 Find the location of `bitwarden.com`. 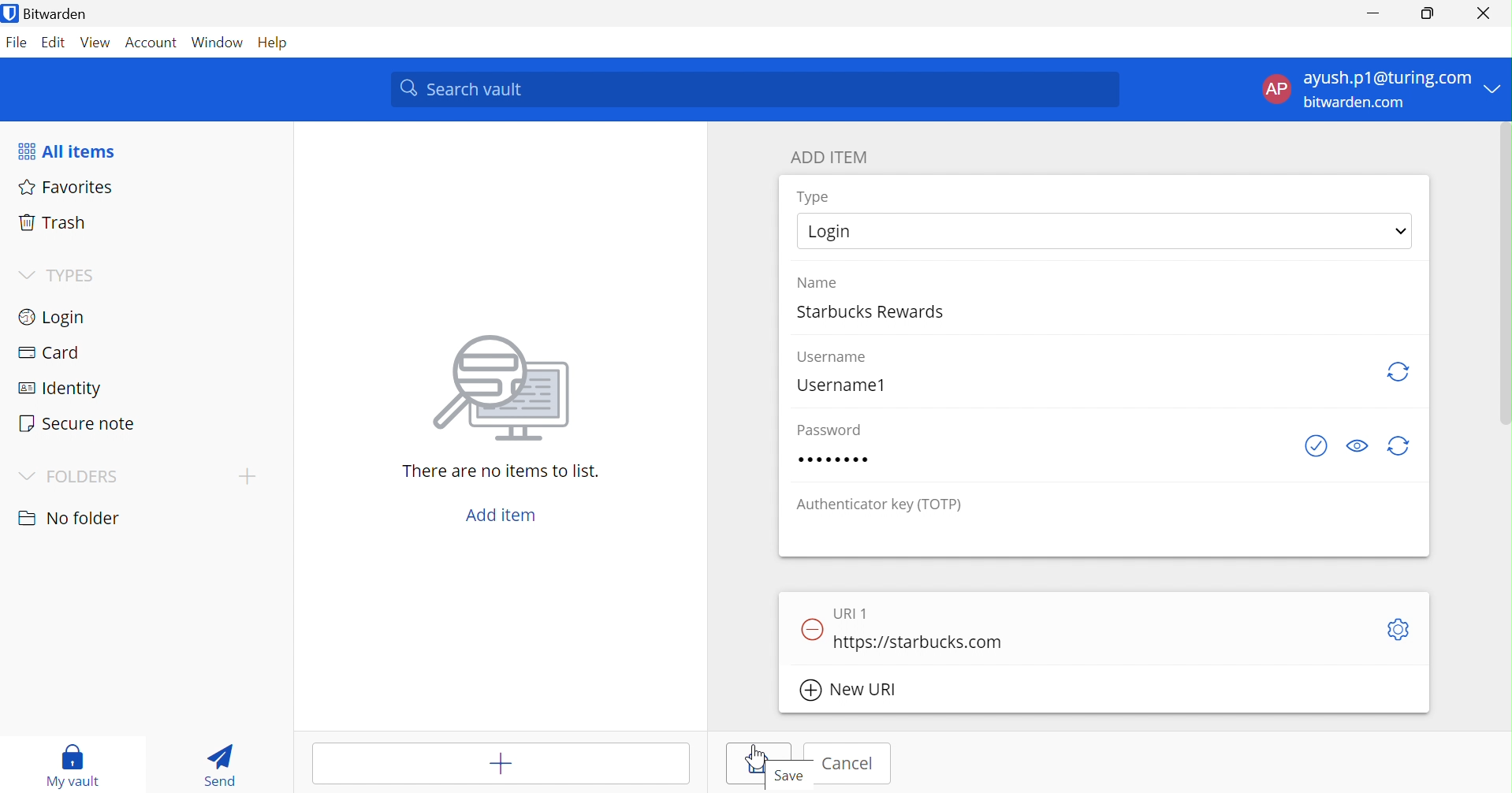

bitwarden.com is located at coordinates (1356, 103).